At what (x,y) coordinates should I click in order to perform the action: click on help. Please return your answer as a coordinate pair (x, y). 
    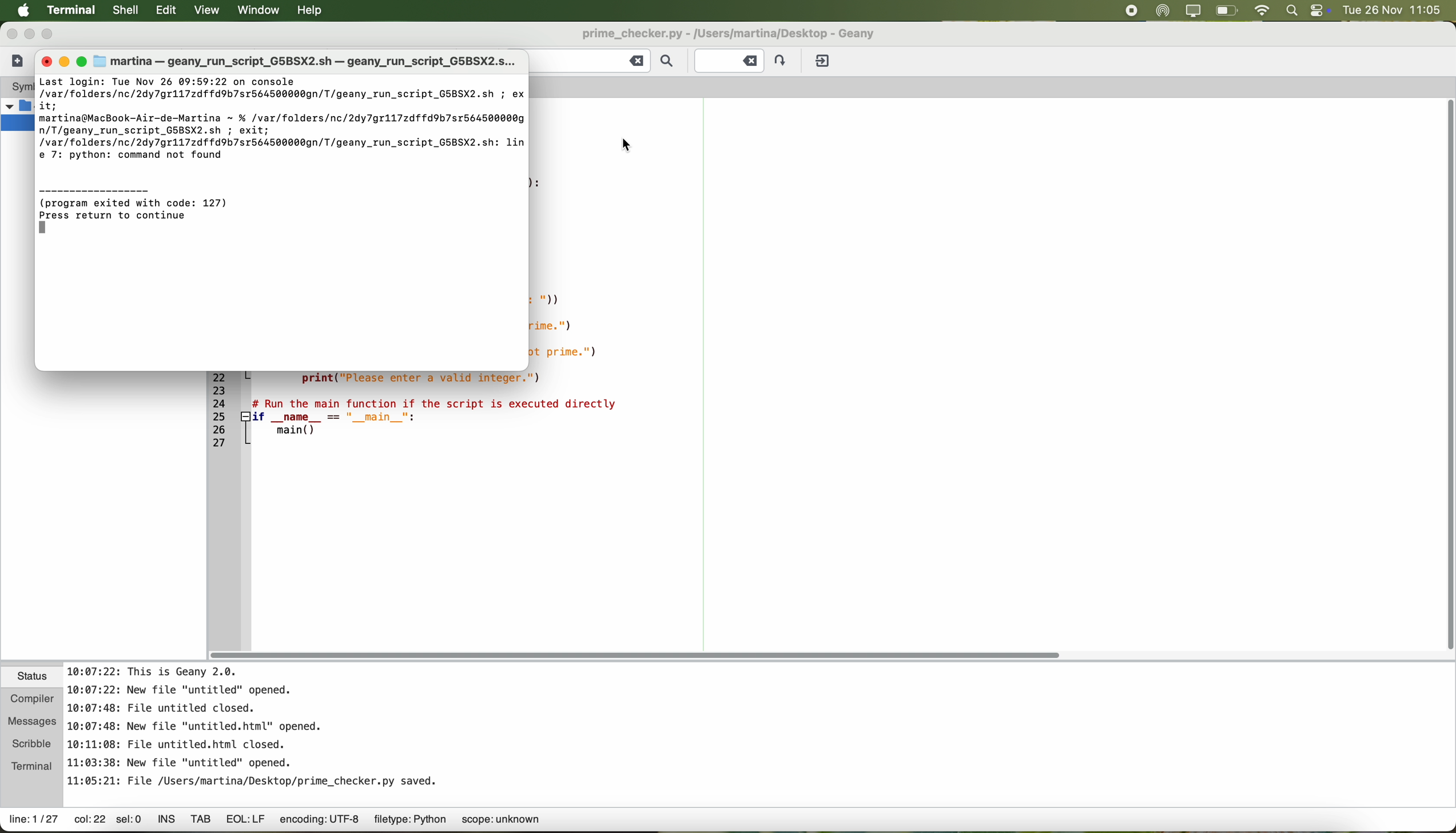
    Looking at the image, I should click on (319, 11).